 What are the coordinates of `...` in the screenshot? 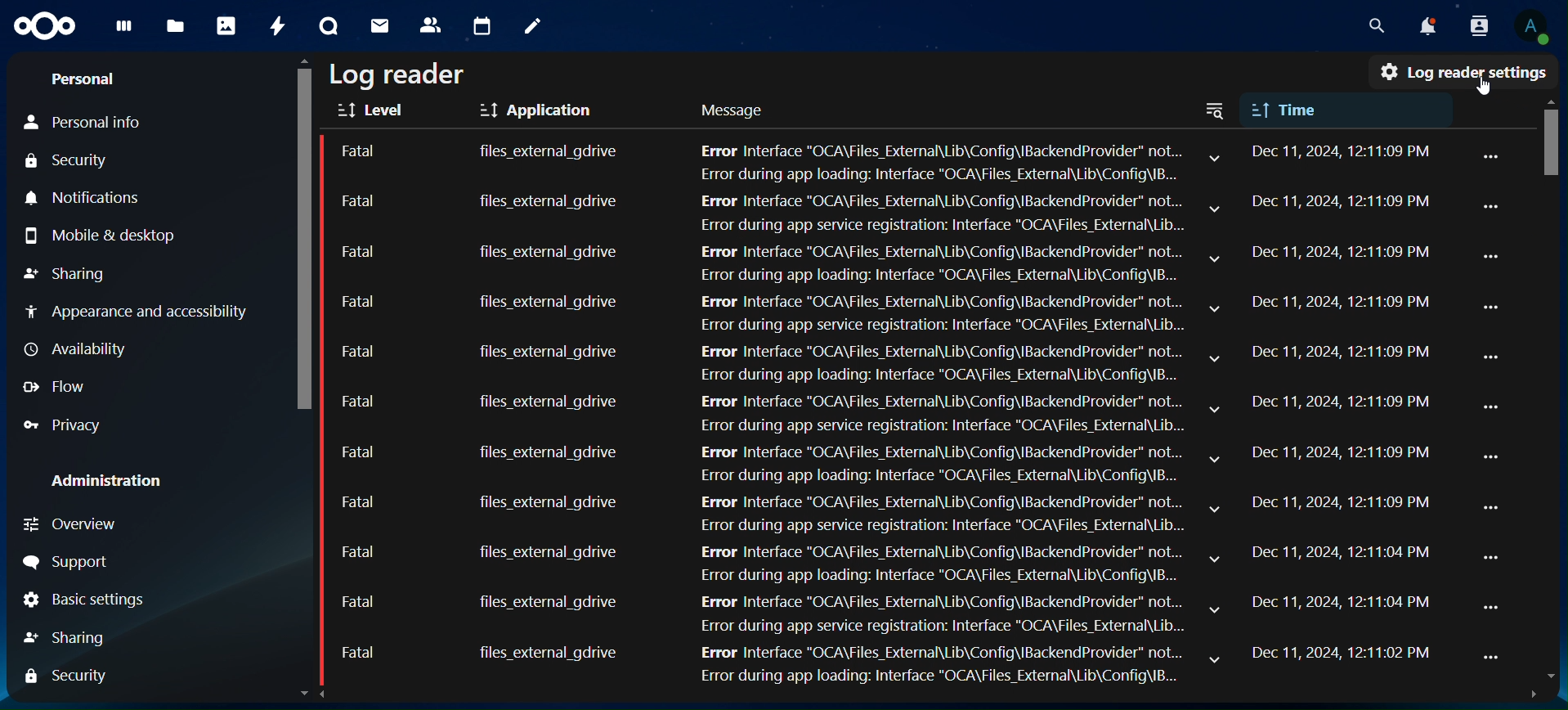 It's located at (1491, 308).